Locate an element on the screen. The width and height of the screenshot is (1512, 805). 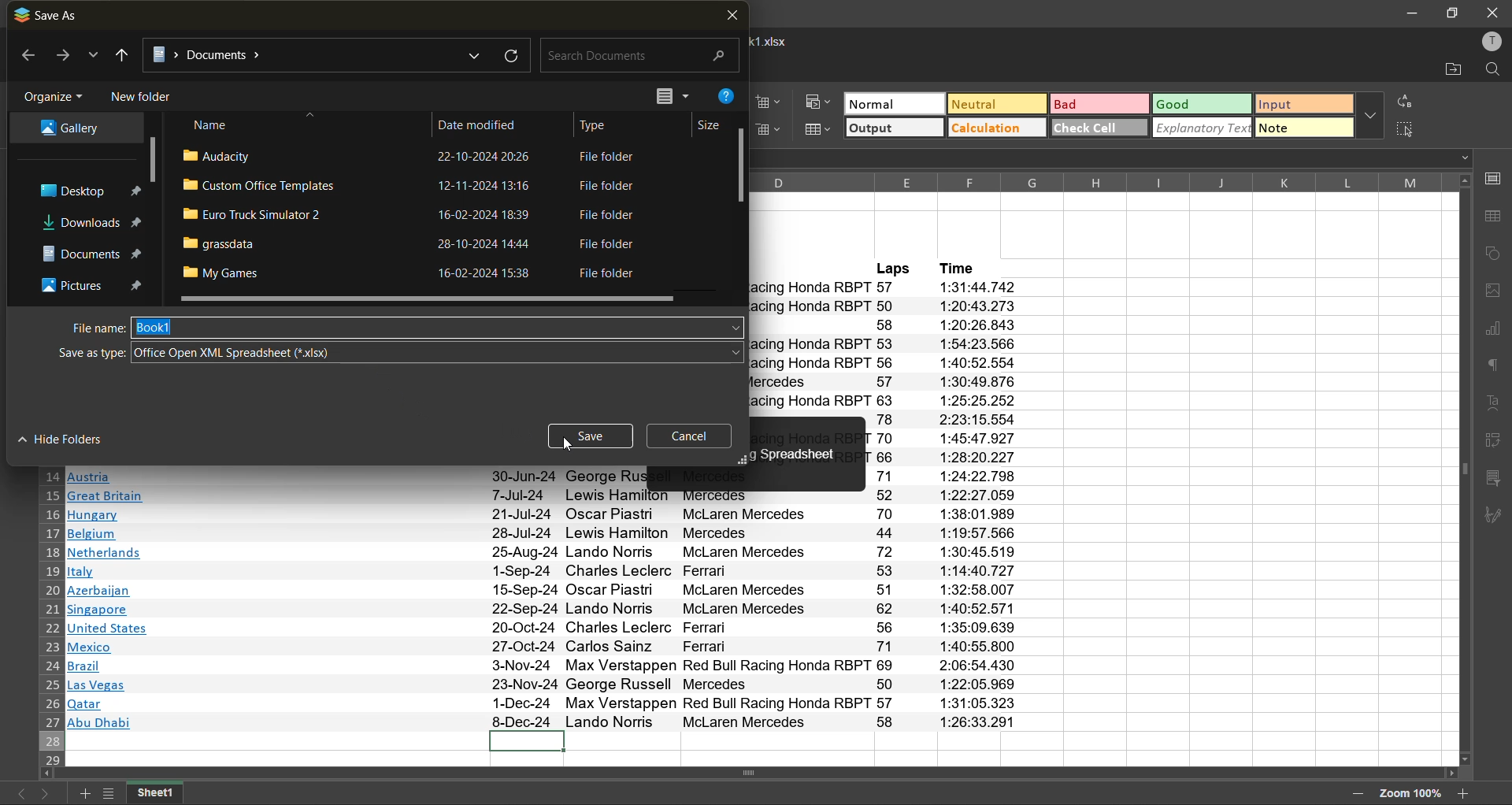
signature is located at coordinates (1498, 514).